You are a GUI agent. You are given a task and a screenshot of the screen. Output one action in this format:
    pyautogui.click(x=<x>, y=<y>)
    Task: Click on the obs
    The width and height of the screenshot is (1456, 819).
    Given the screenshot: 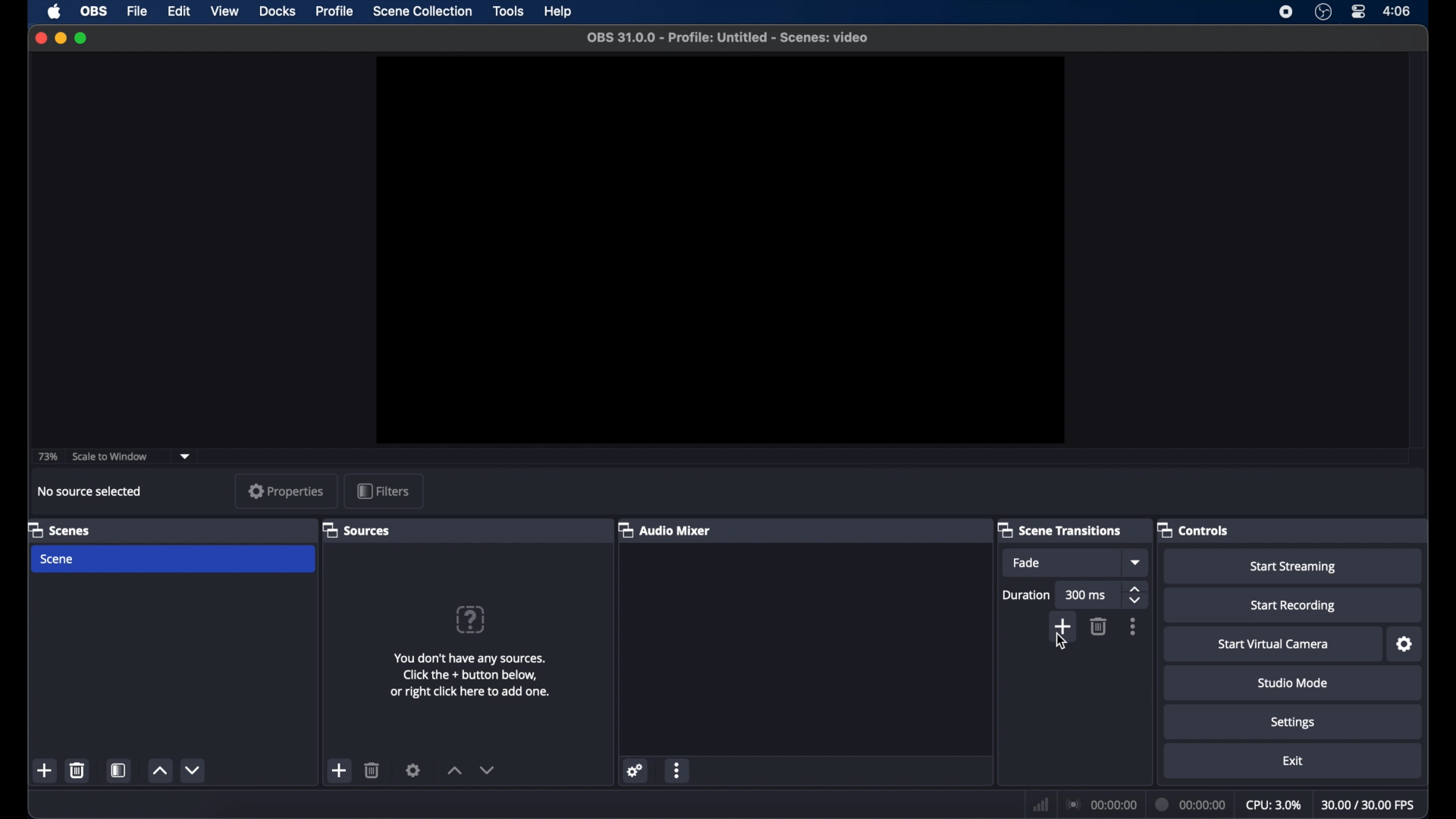 What is the action you would take?
    pyautogui.click(x=93, y=11)
    